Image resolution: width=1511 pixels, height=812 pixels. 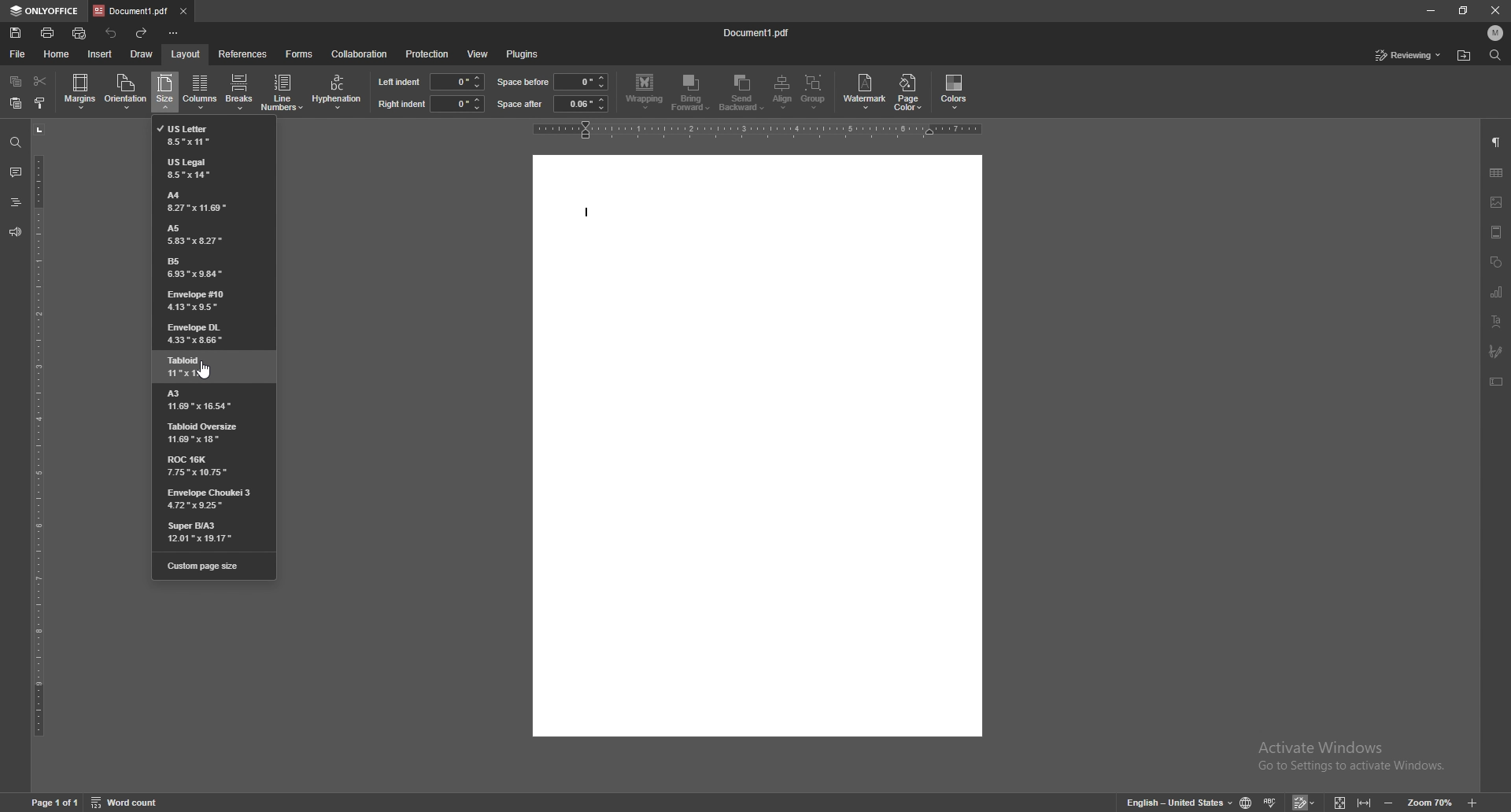 What do you see at coordinates (1496, 143) in the screenshot?
I see `paragraph` at bounding box center [1496, 143].